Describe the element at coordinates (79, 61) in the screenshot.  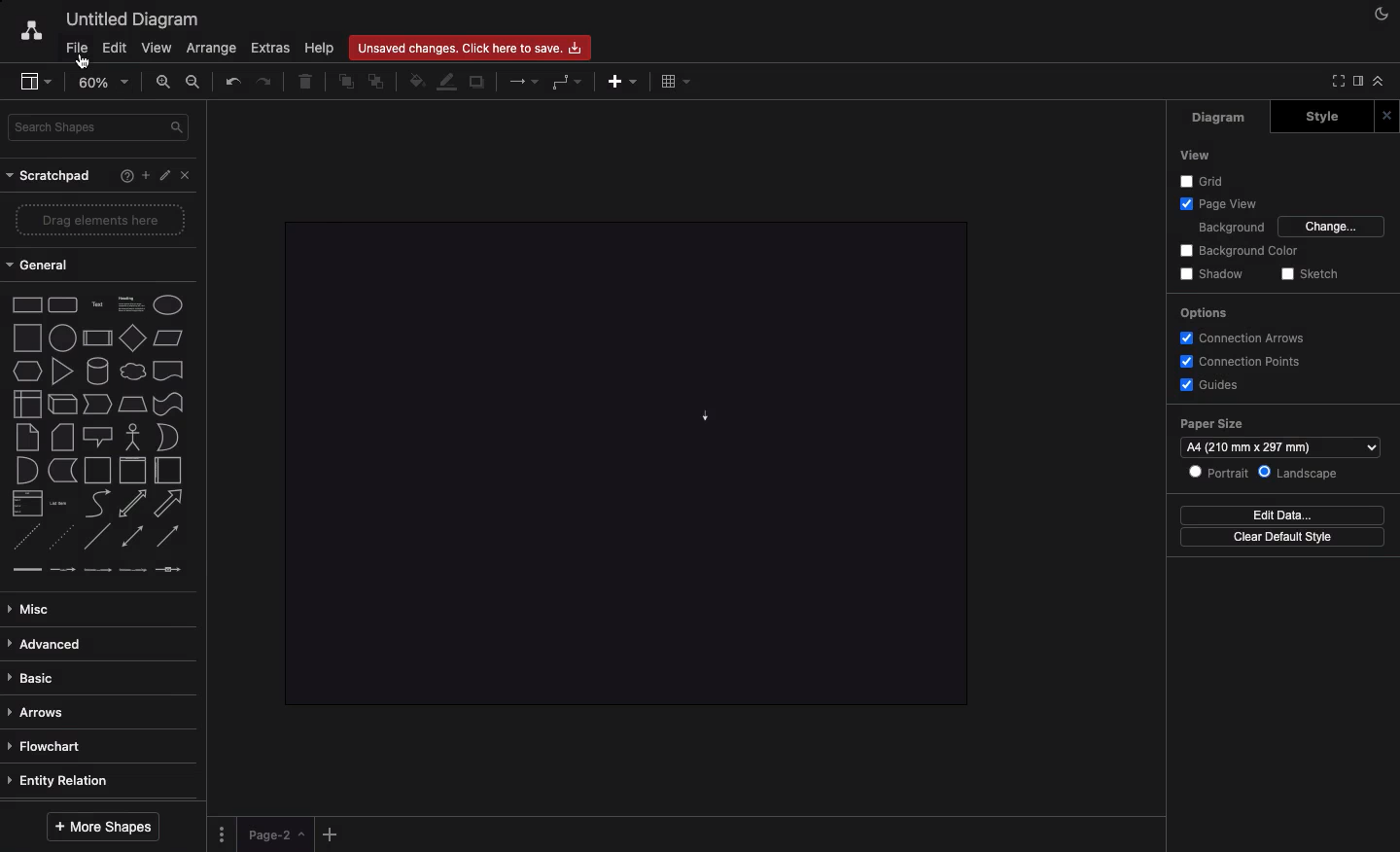
I see `Cursor` at that location.